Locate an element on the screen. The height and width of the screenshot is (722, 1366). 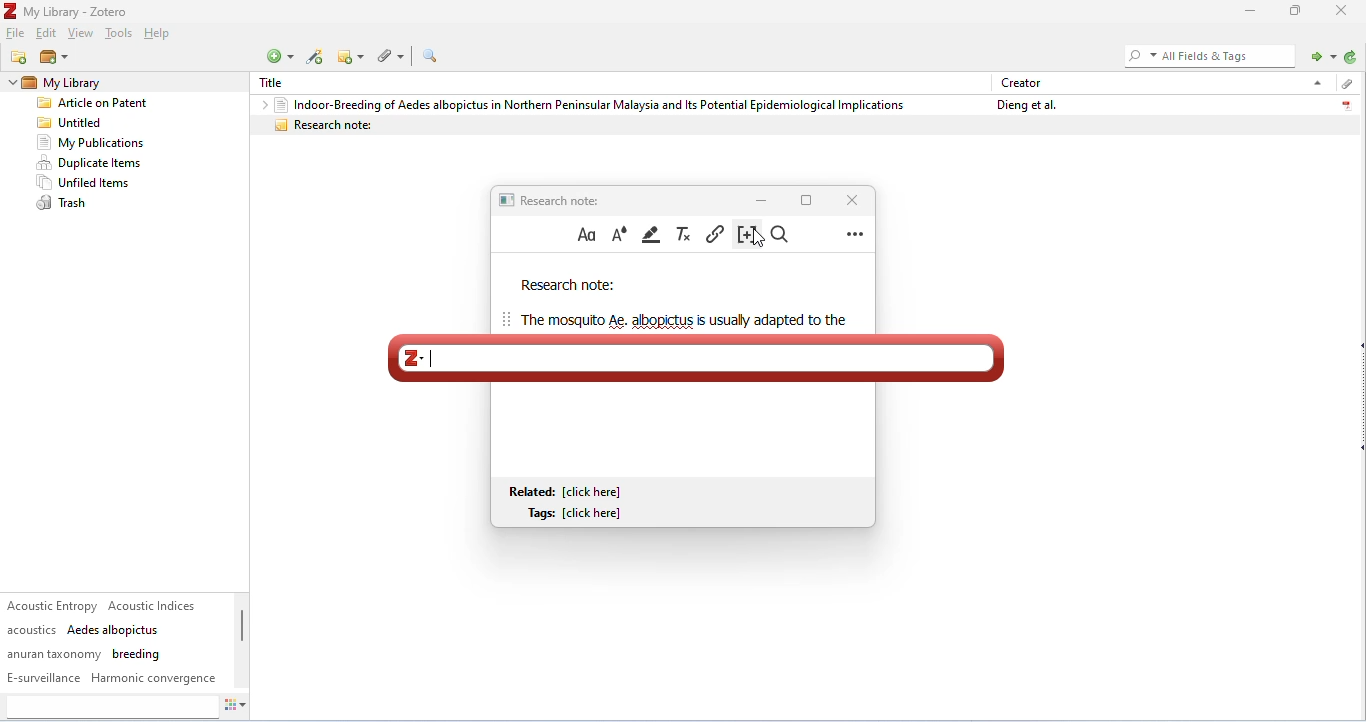
help is located at coordinates (160, 35).